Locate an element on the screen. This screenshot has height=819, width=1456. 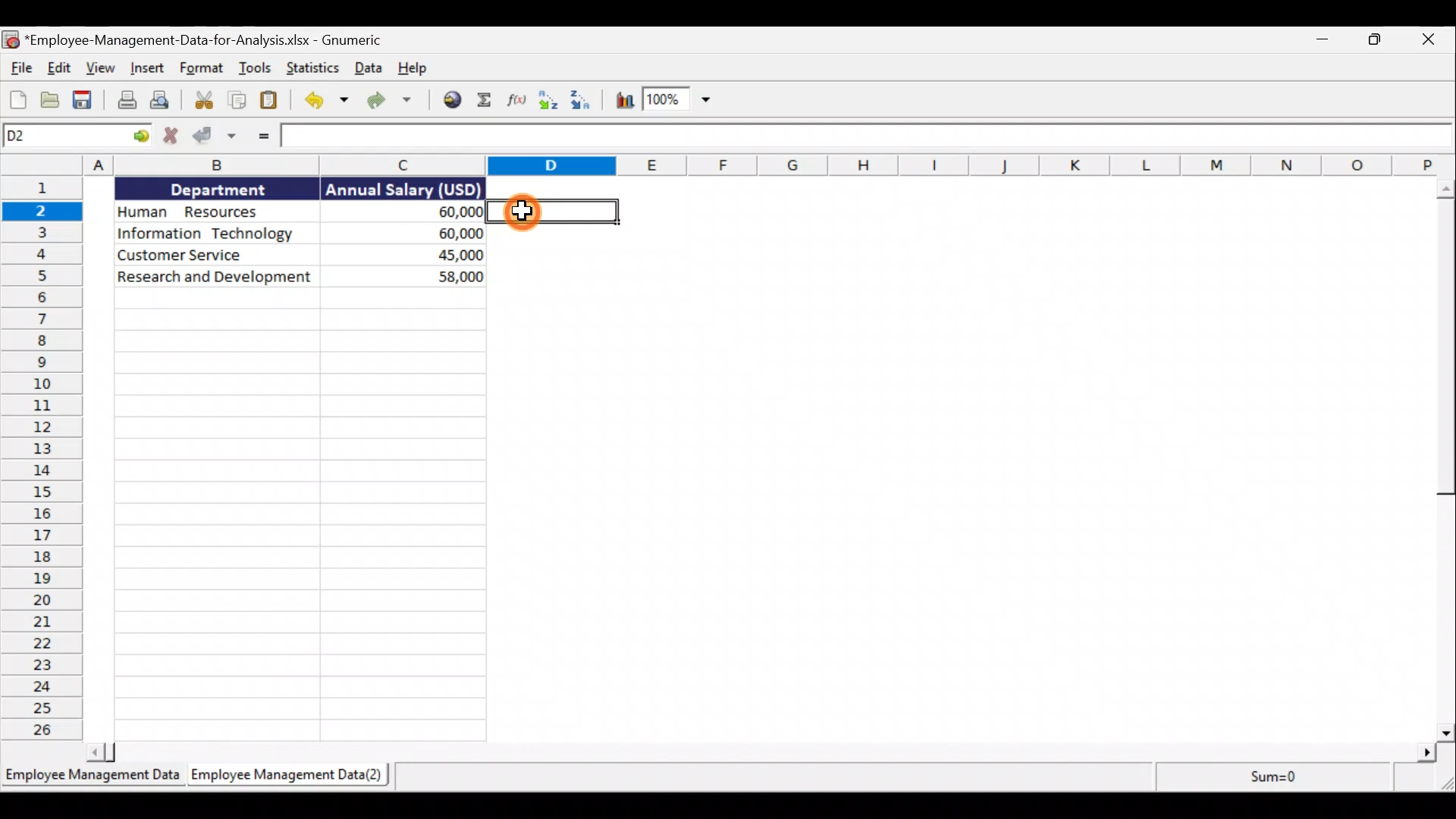
Sum into the current cell is located at coordinates (487, 101).